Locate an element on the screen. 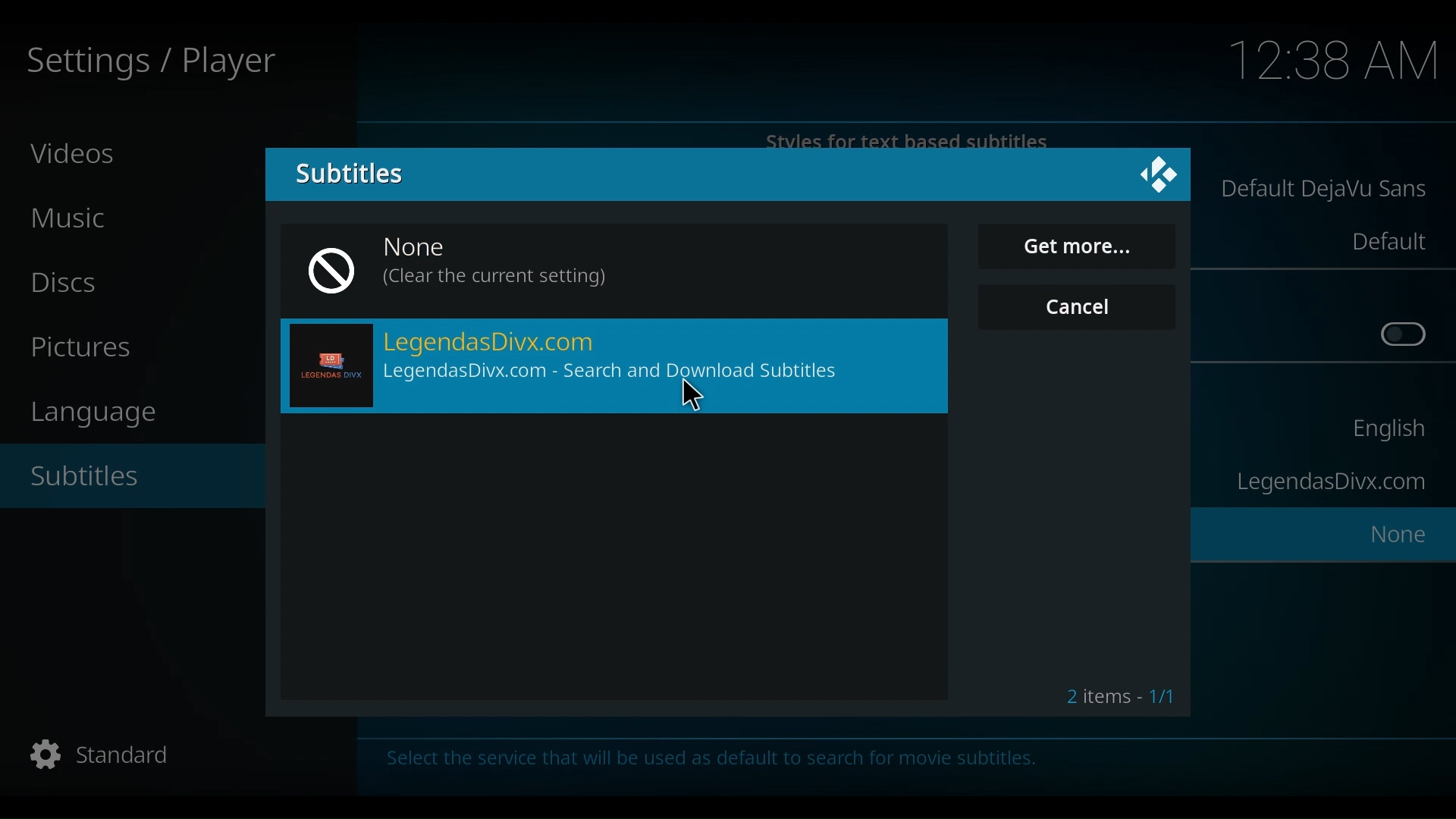 The height and width of the screenshot is (819, 1456). Default is located at coordinates (1387, 241).